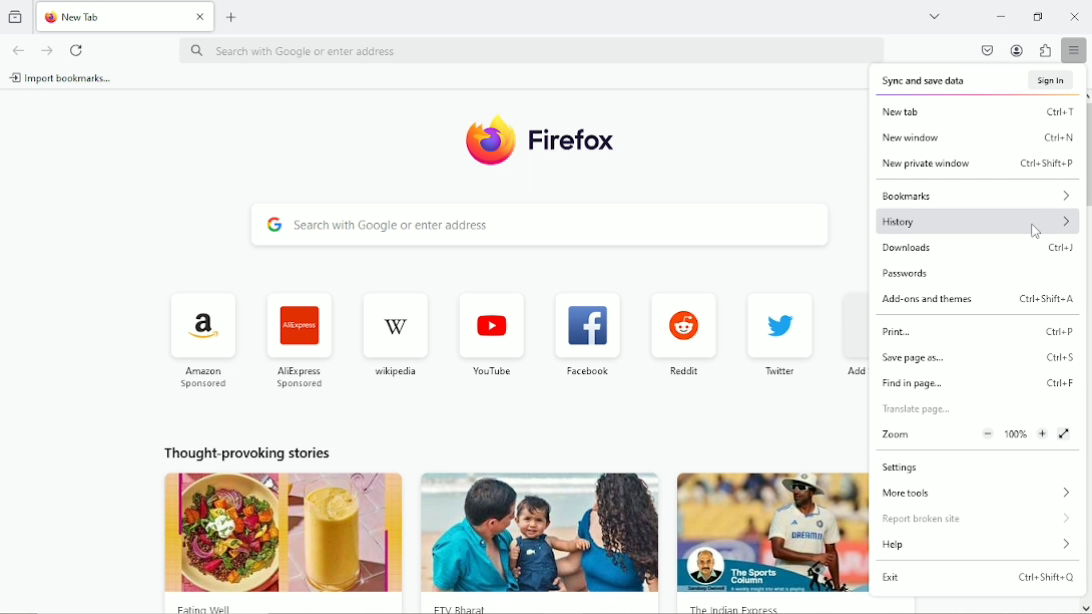 The width and height of the screenshot is (1092, 614). Describe the element at coordinates (976, 83) in the screenshot. I see `sync and save data` at that location.